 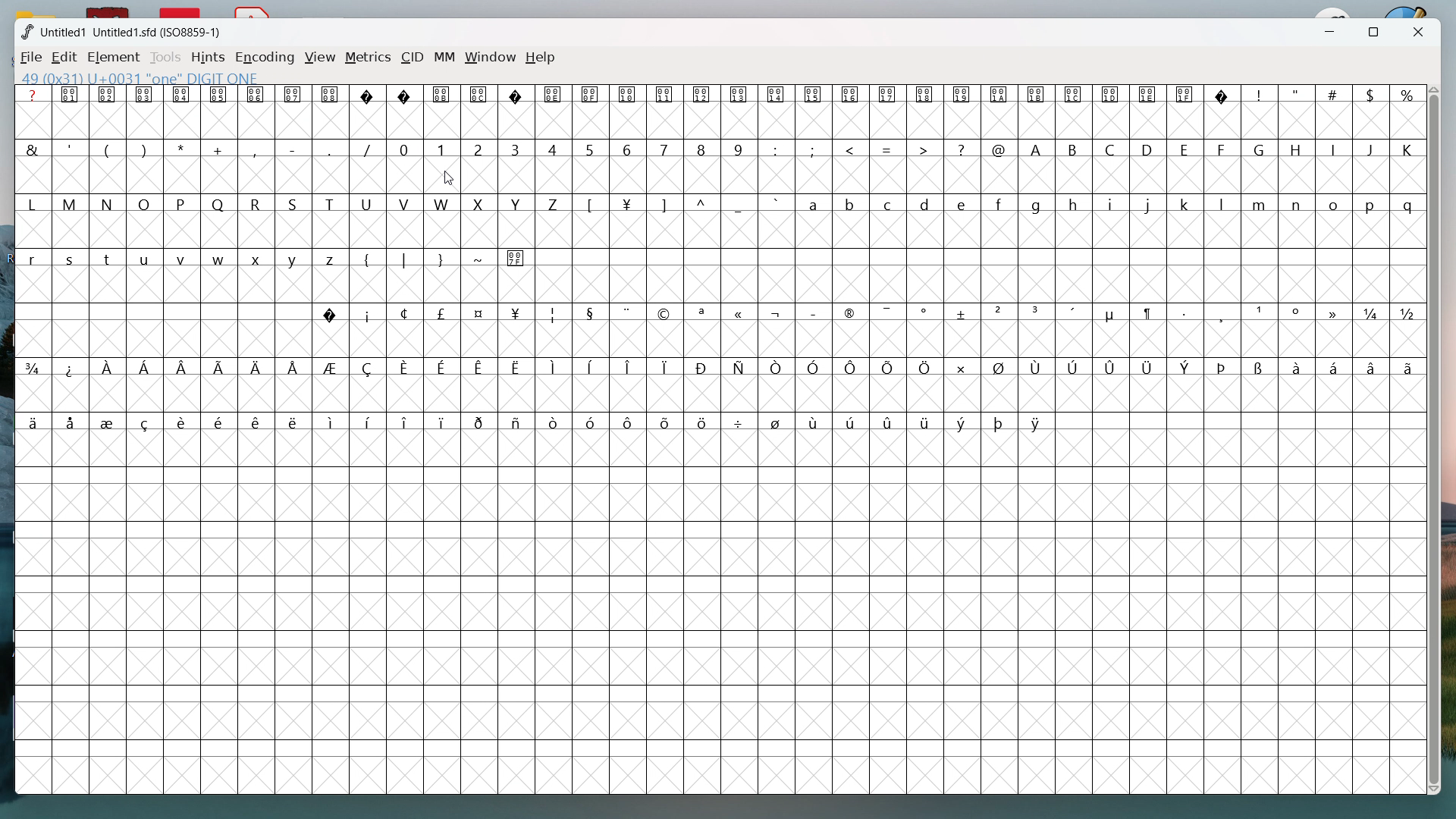 What do you see at coordinates (853, 366) in the screenshot?
I see `symbol` at bounding box center [853, 366].